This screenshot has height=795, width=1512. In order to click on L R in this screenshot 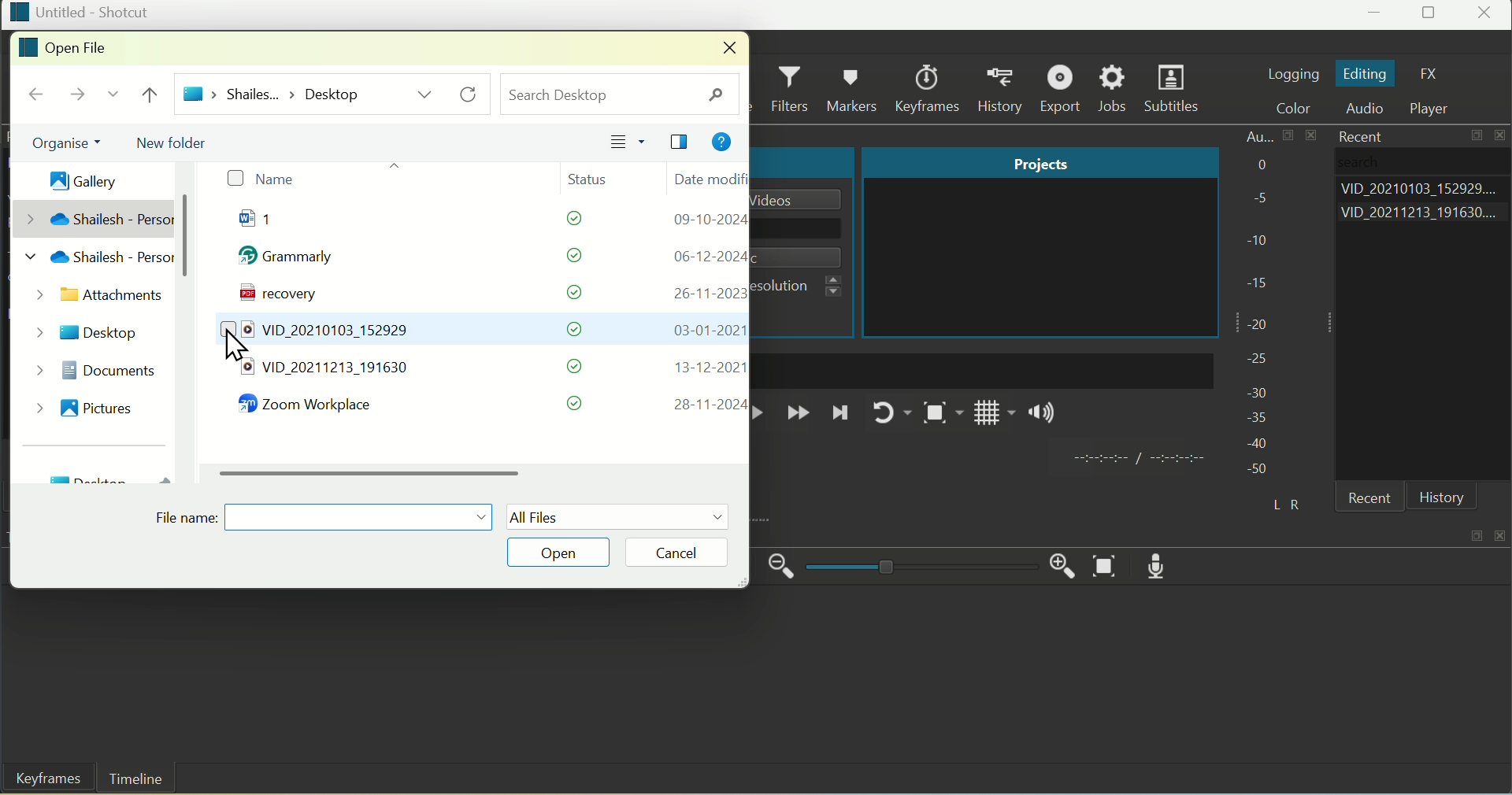, I will do `click(1283, 501)`.